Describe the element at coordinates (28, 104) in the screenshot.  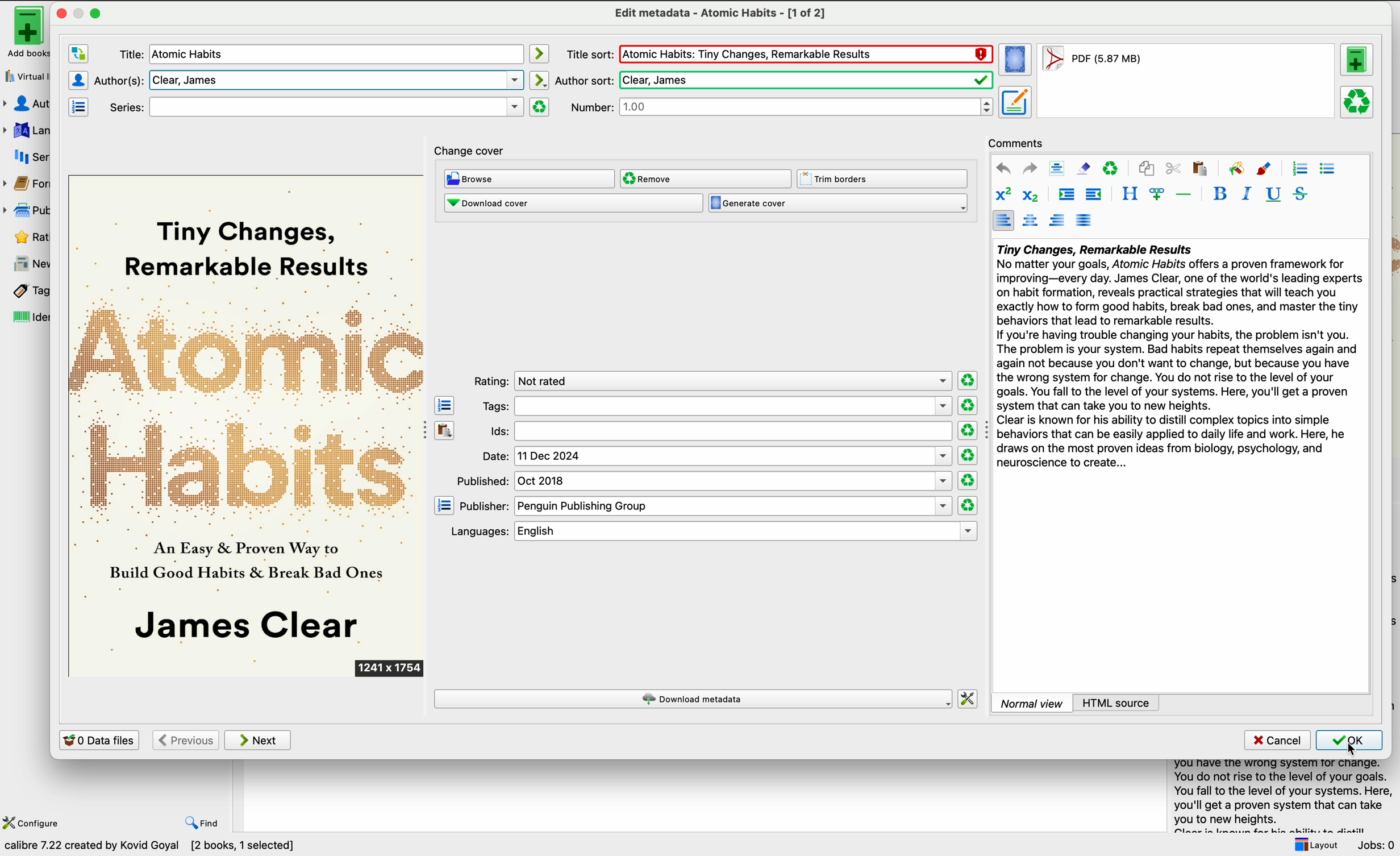
I see `authors` at that location.